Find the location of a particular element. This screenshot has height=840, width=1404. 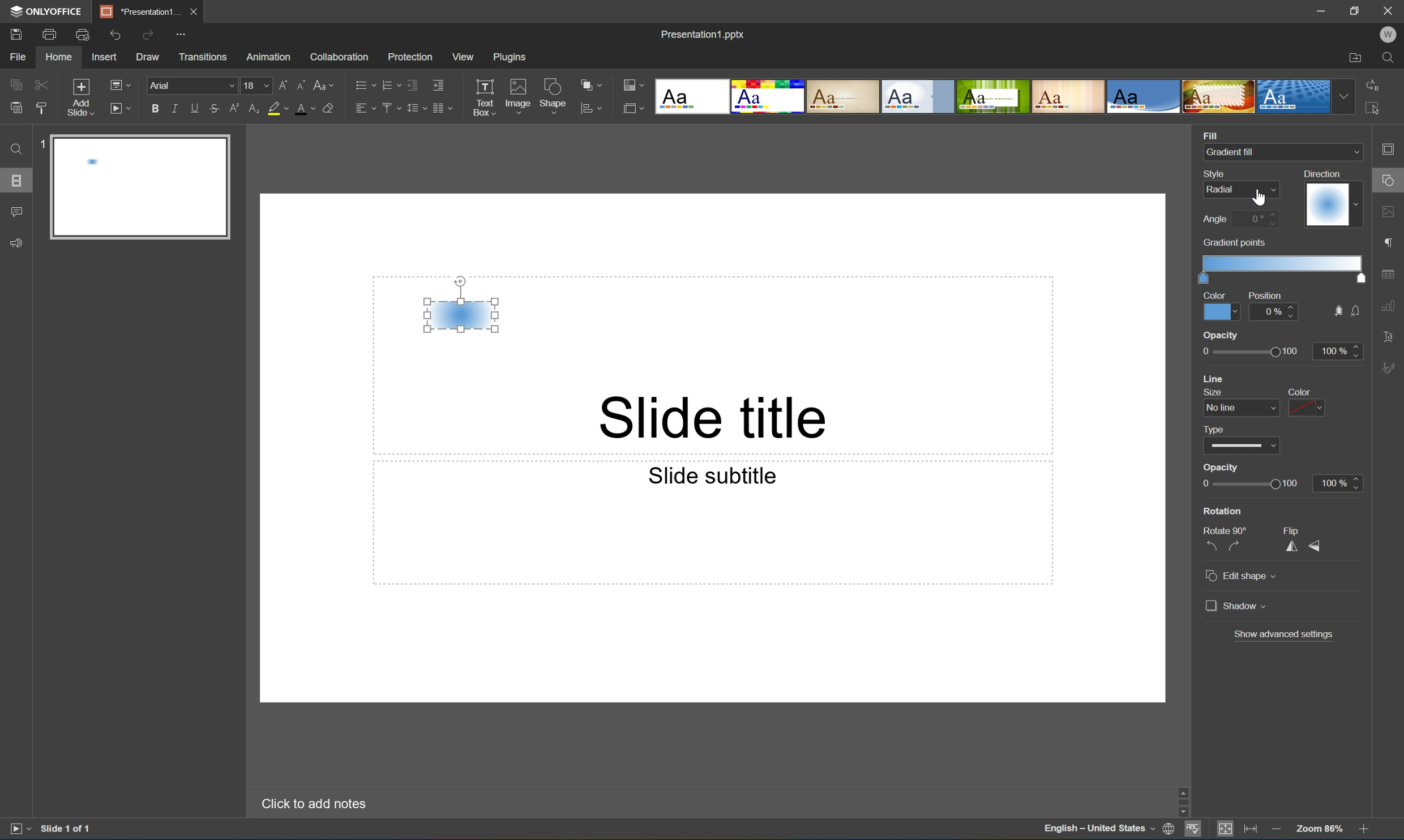

Cursor is located at coordinates (1259, 198).